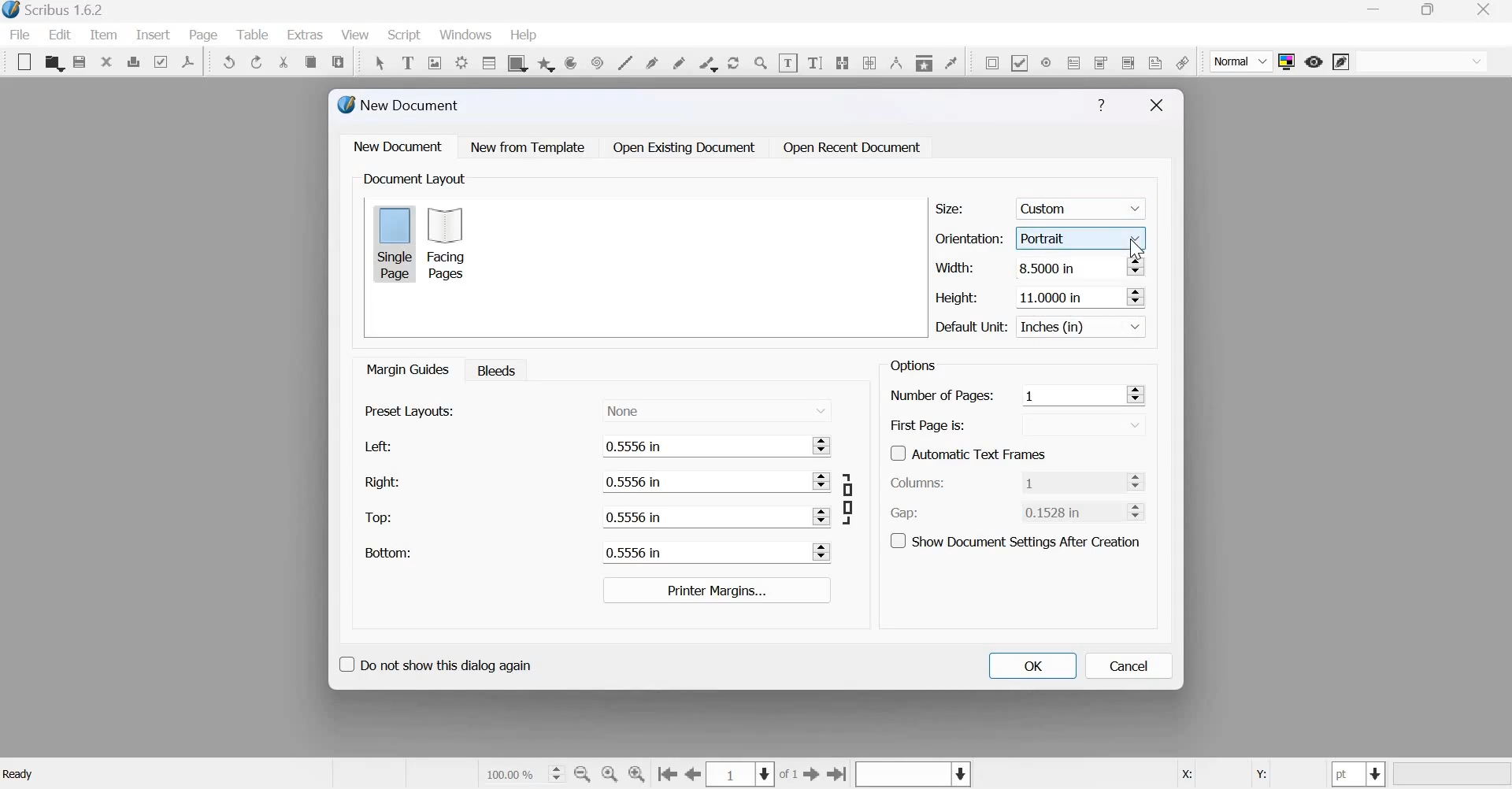  I want to click on 1, so click(1068, 394).